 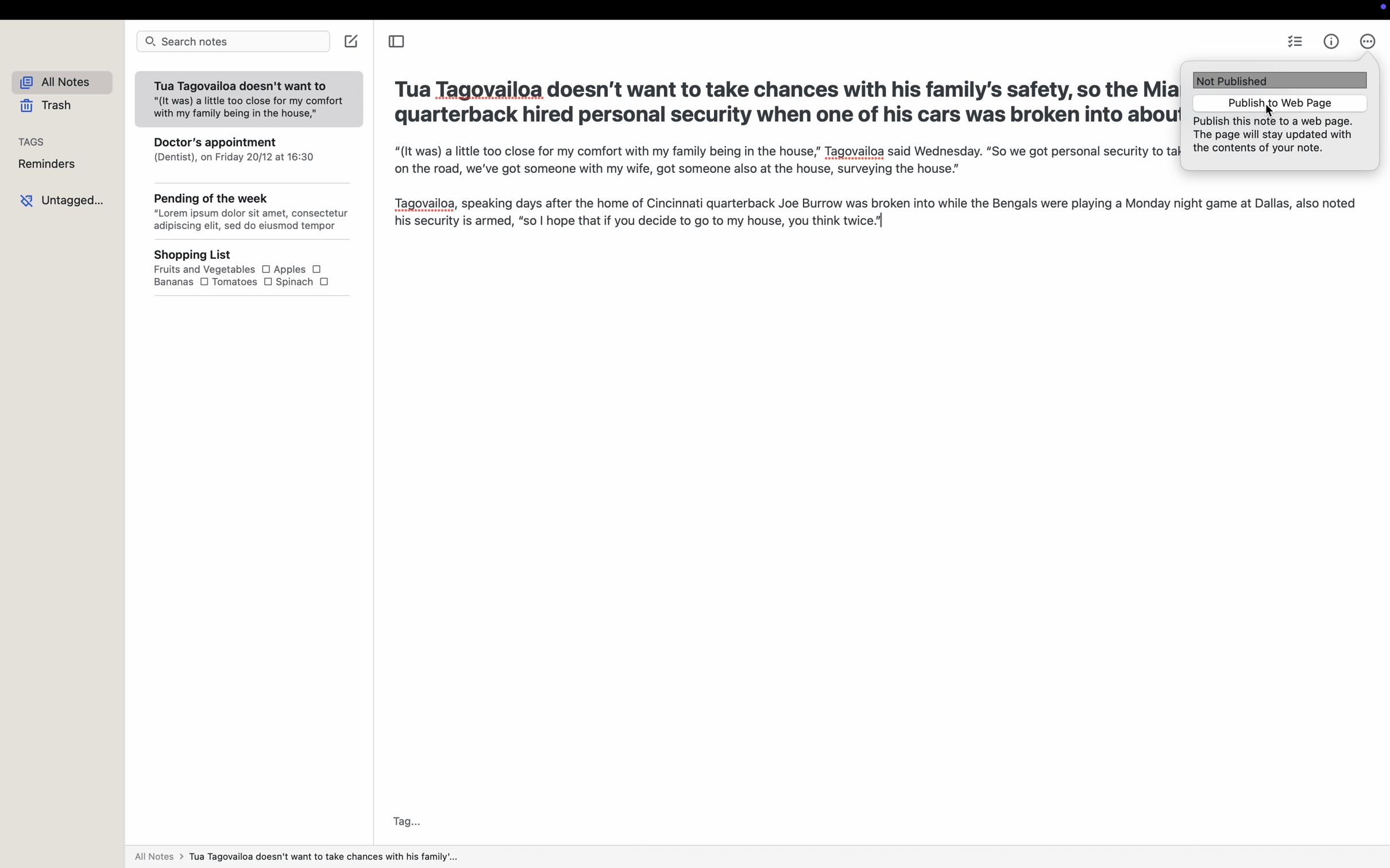 What do you see at coordinates (247, 100) in the screenshot?
I see `Tua Tagovailoa doesn't want to
"(It was) a little too close for my comfort
with my family being in the house,"` at bounding box center [247, 100].